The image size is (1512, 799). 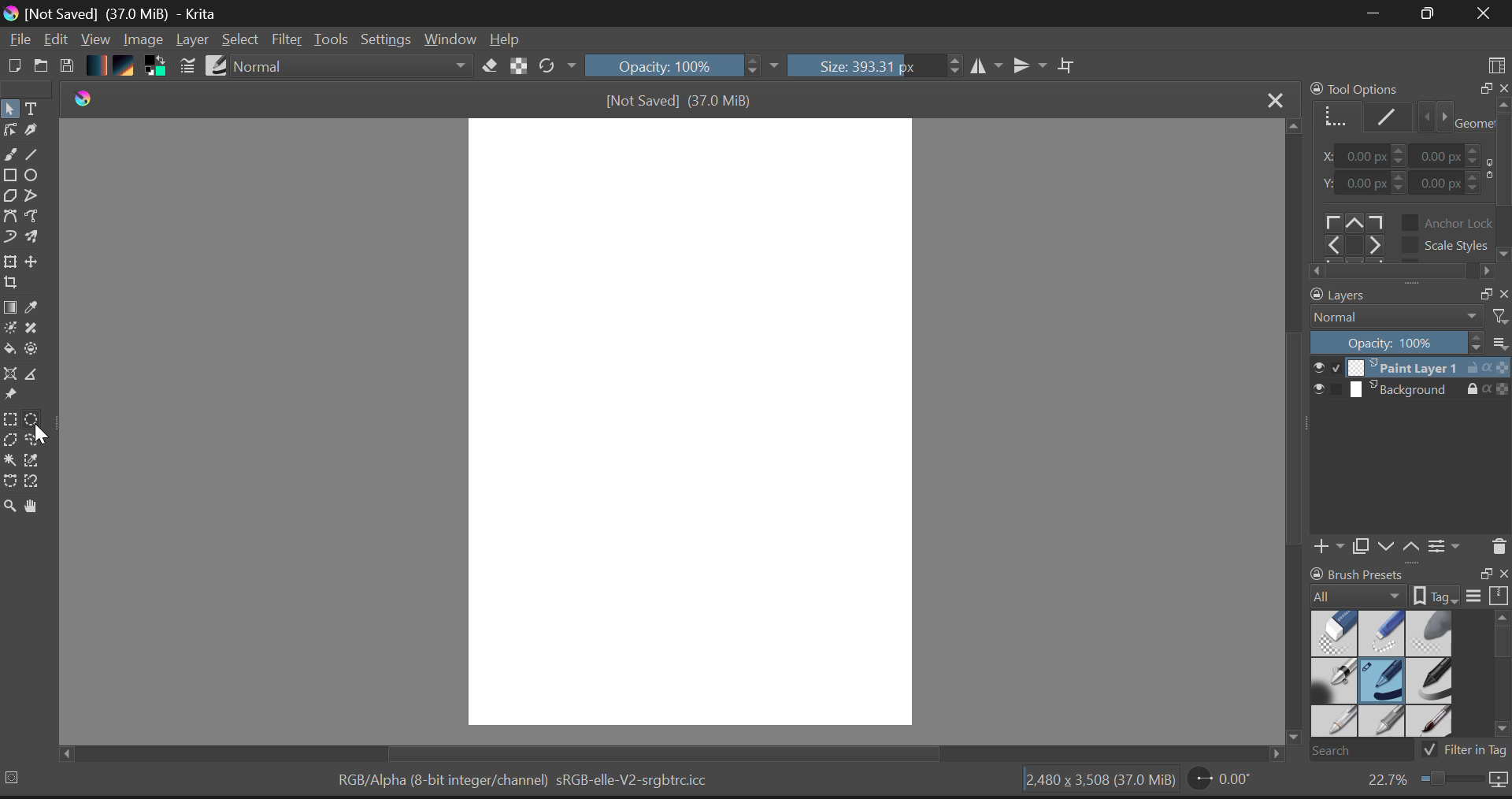 What do you see at coordinates (1435, 783) in the screenshot?
I see `Zoom` at bounding box center [1435, 783].